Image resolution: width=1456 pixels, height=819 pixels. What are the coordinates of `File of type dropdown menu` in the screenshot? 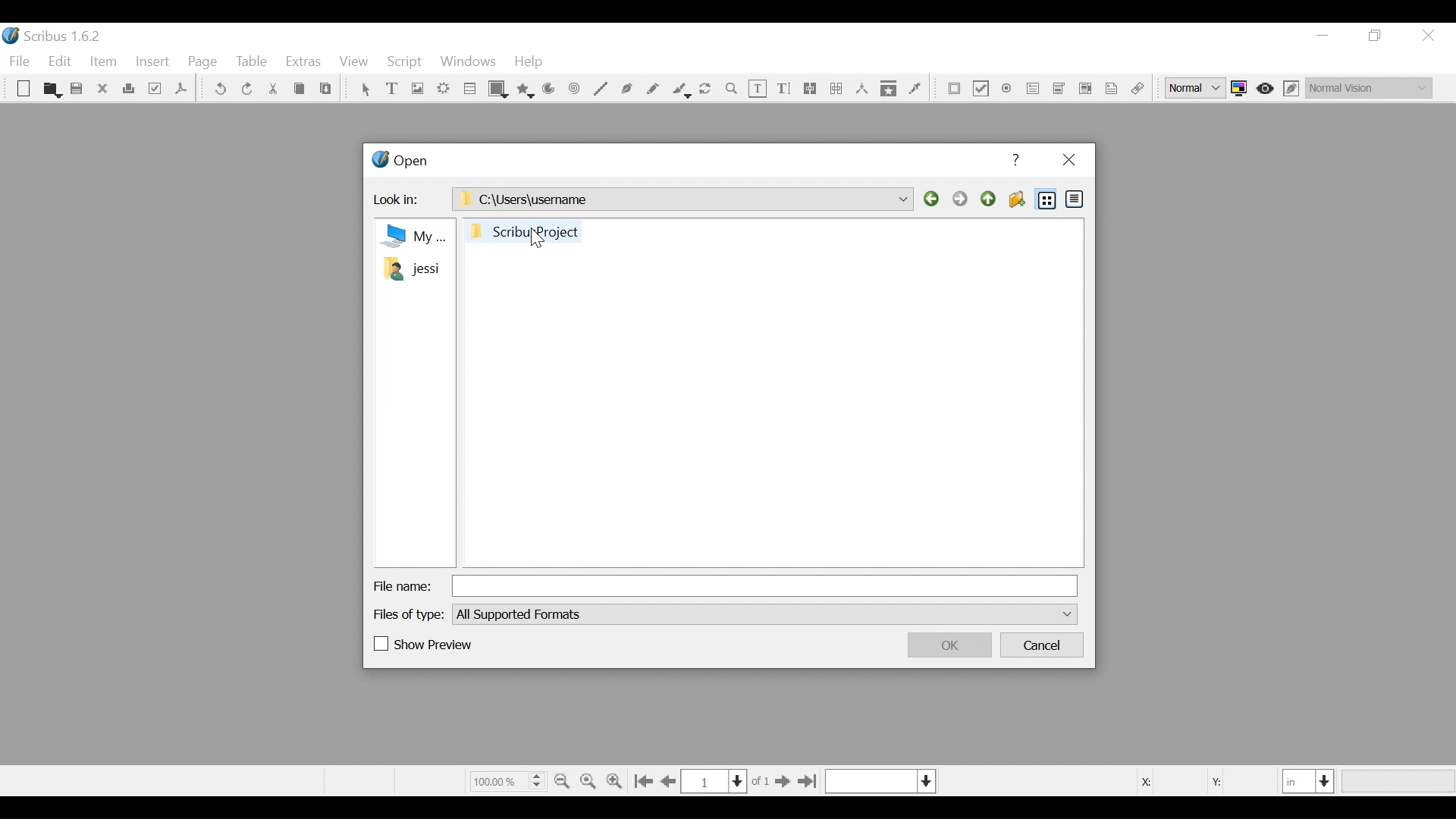 It's located at (764, 613).